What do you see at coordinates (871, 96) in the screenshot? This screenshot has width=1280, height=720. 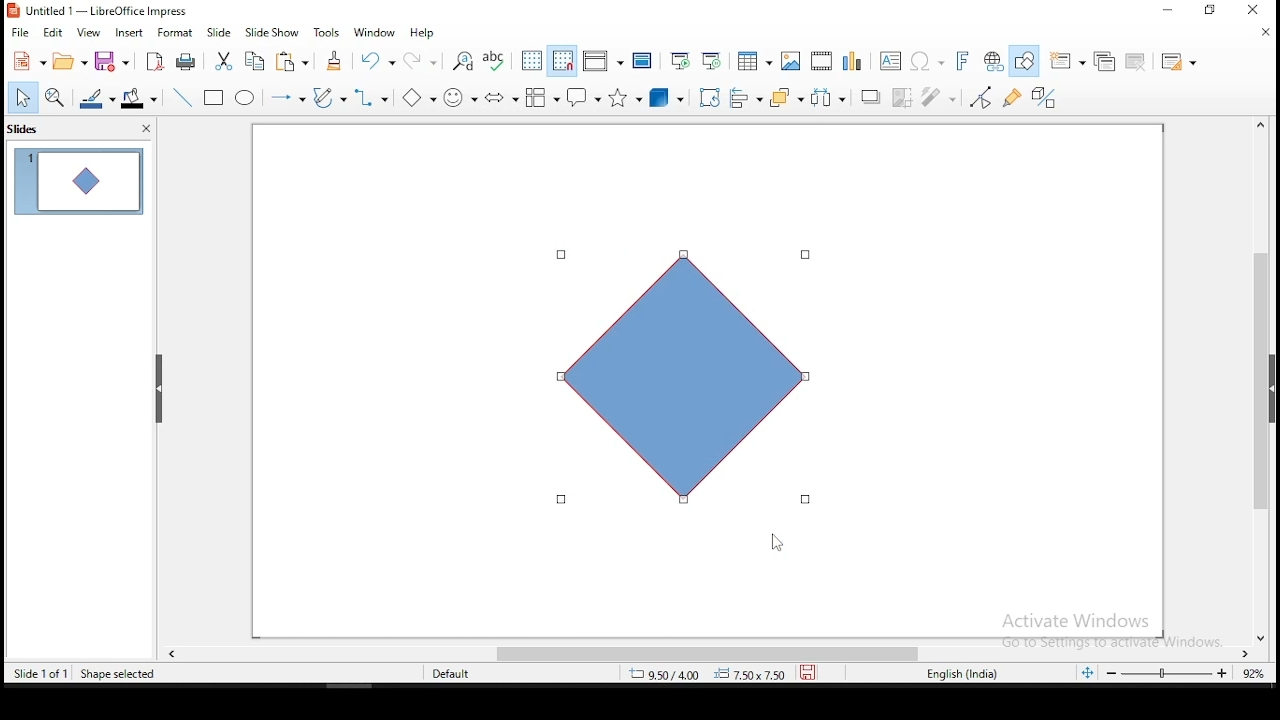 I see `shadow` at bounding box center [871, 96].